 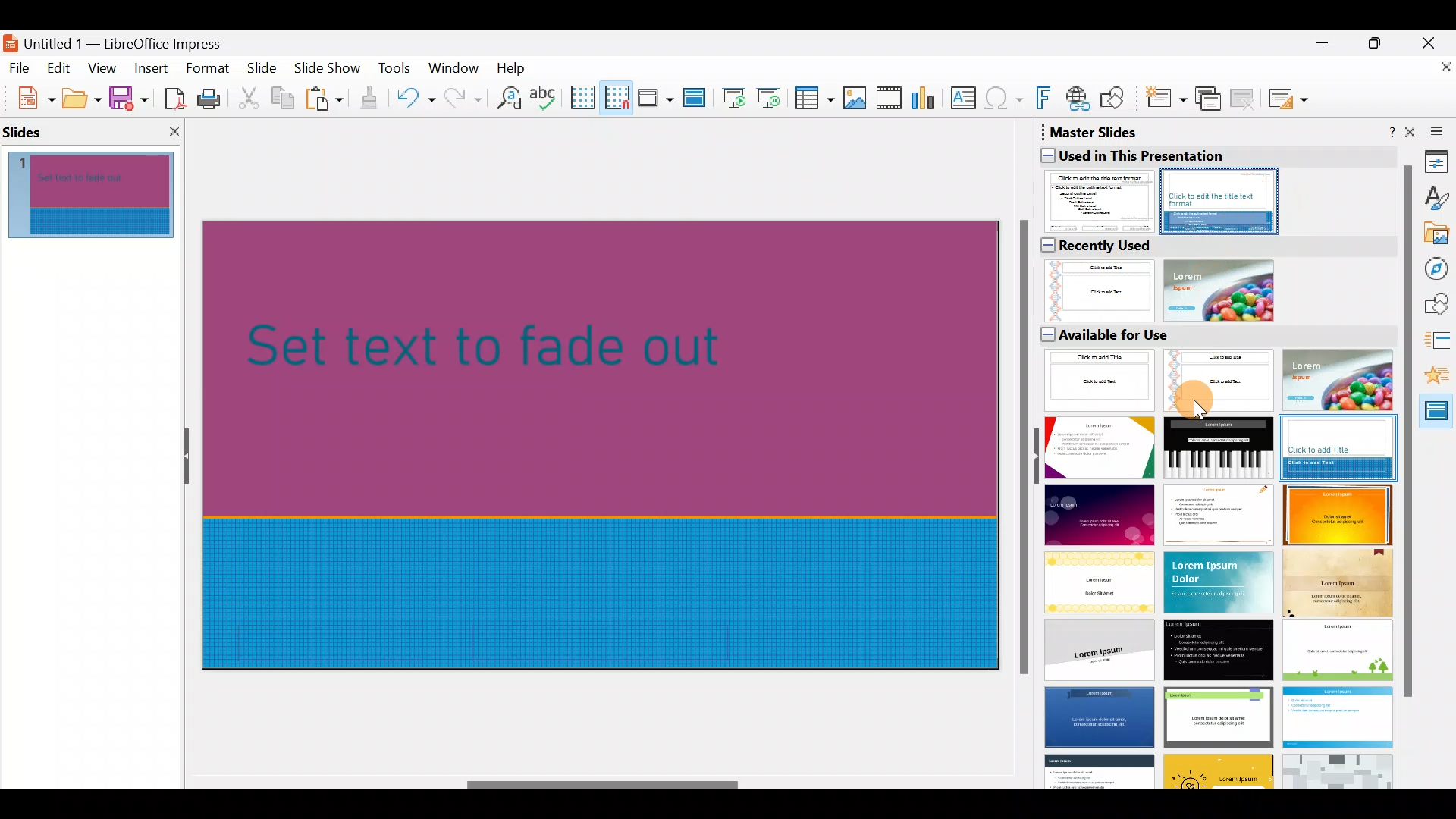 I want to click on Master slides, so click(x=1438, y=418).